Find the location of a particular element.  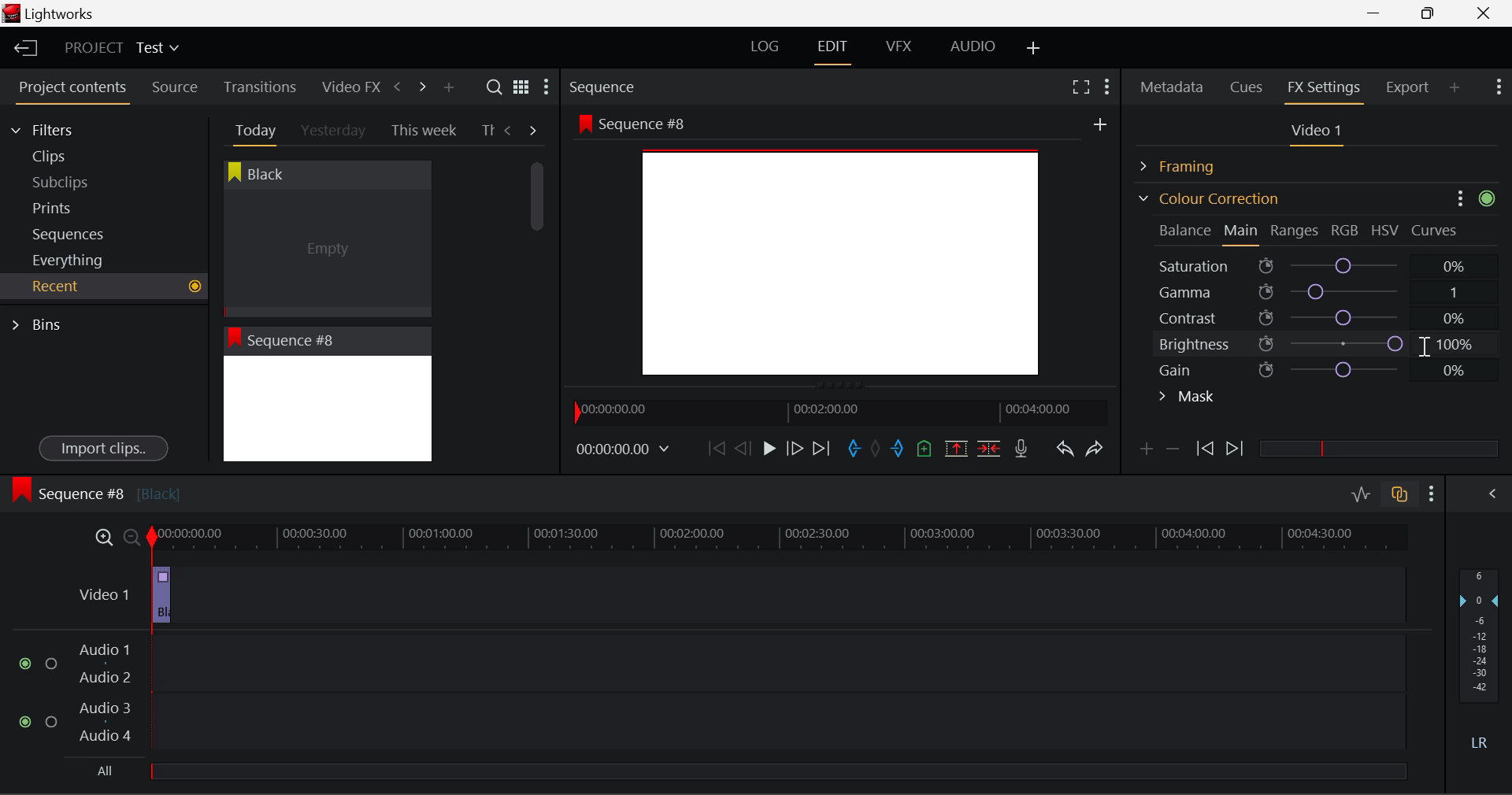

Delete/Cut is located at coordinates (989, 448).